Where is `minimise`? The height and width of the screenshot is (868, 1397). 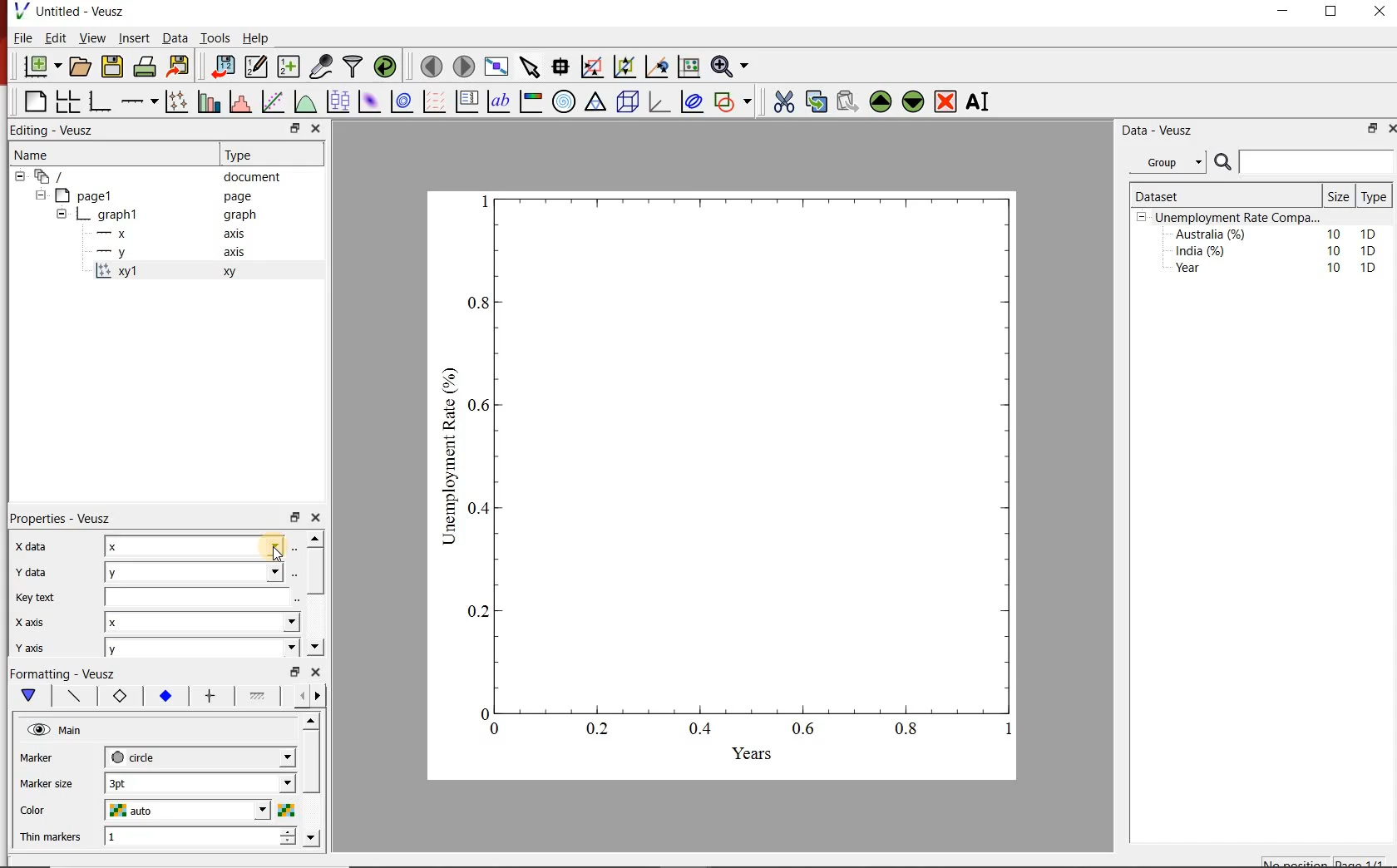 minimise is located at coordinates (294, 516).